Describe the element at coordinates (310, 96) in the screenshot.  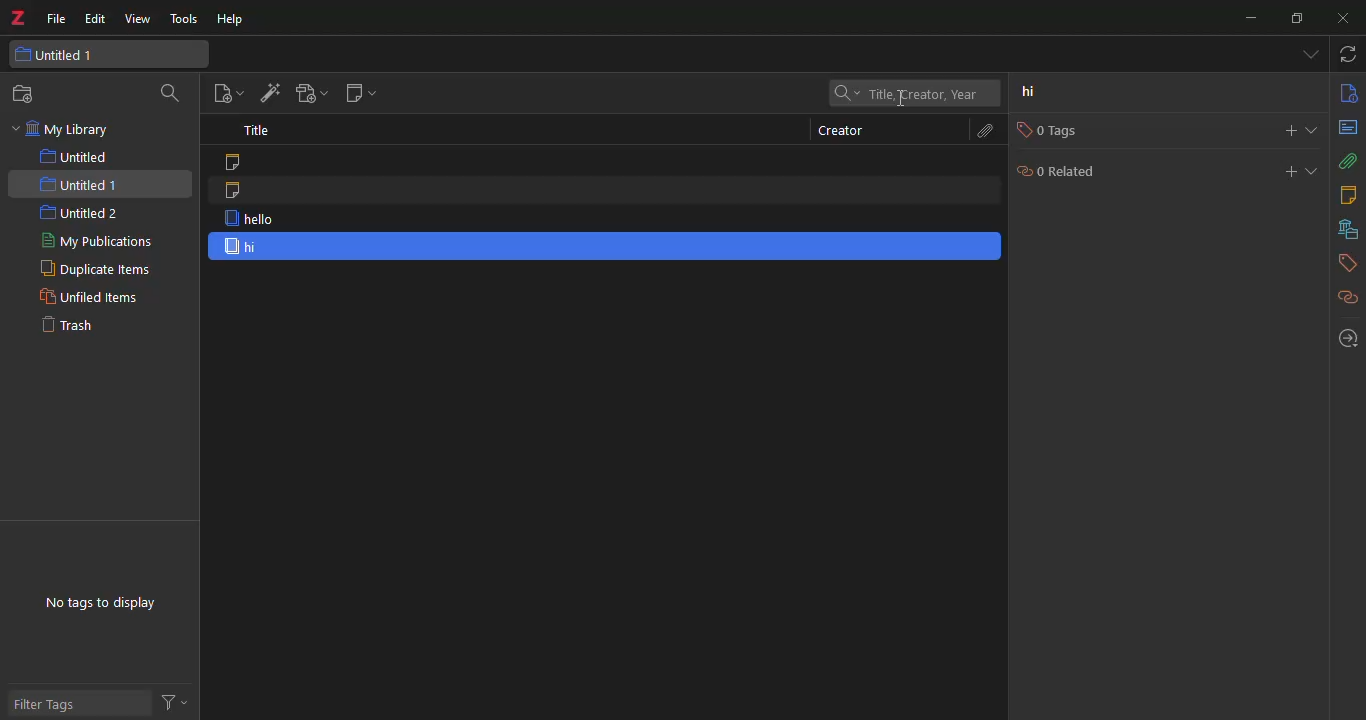
I see `add attach` at that location.